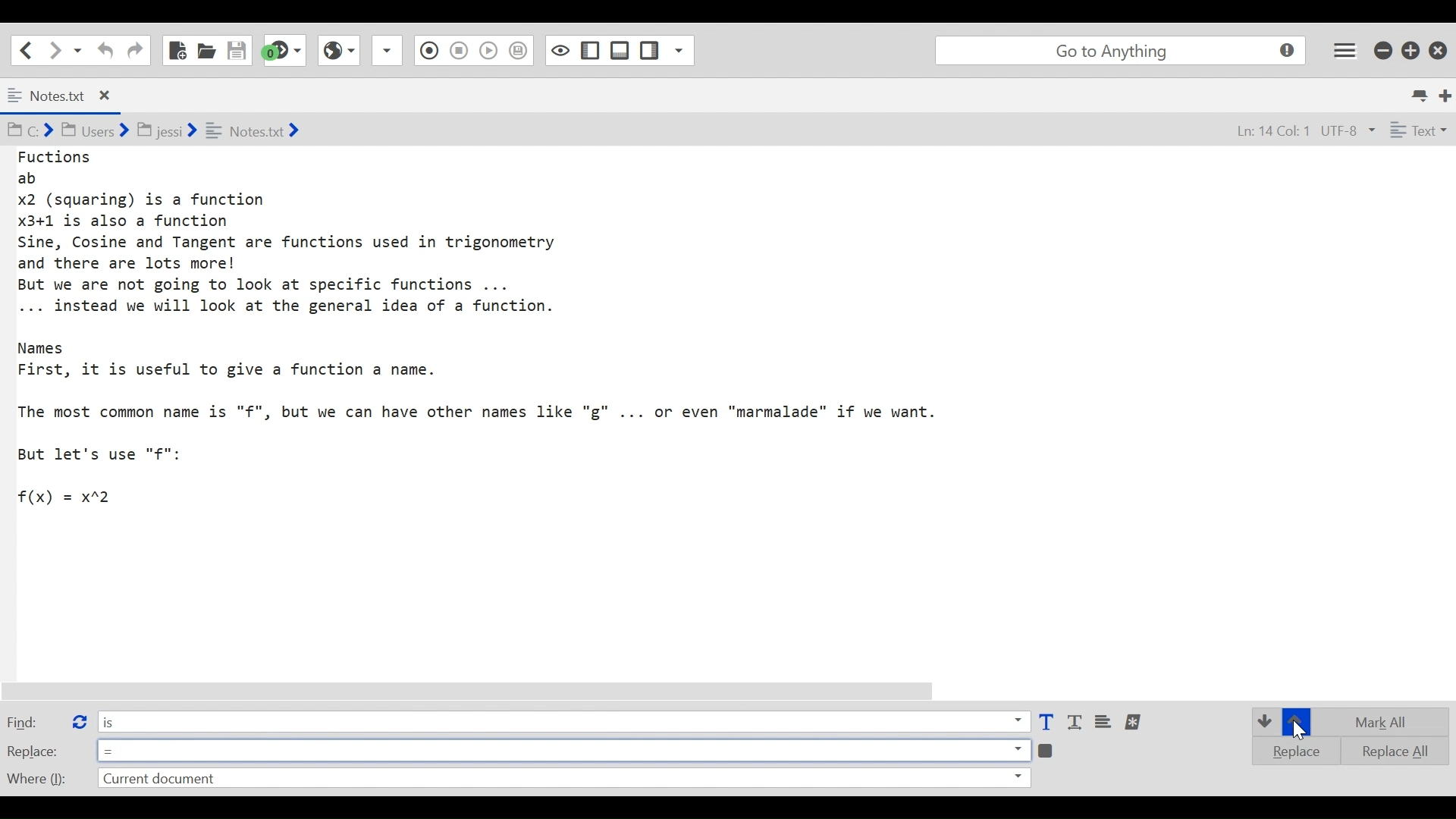  What do you see at coordinates (1134, 722) in the screenshot?
I see `more options` at bounding box center [1134, 722].